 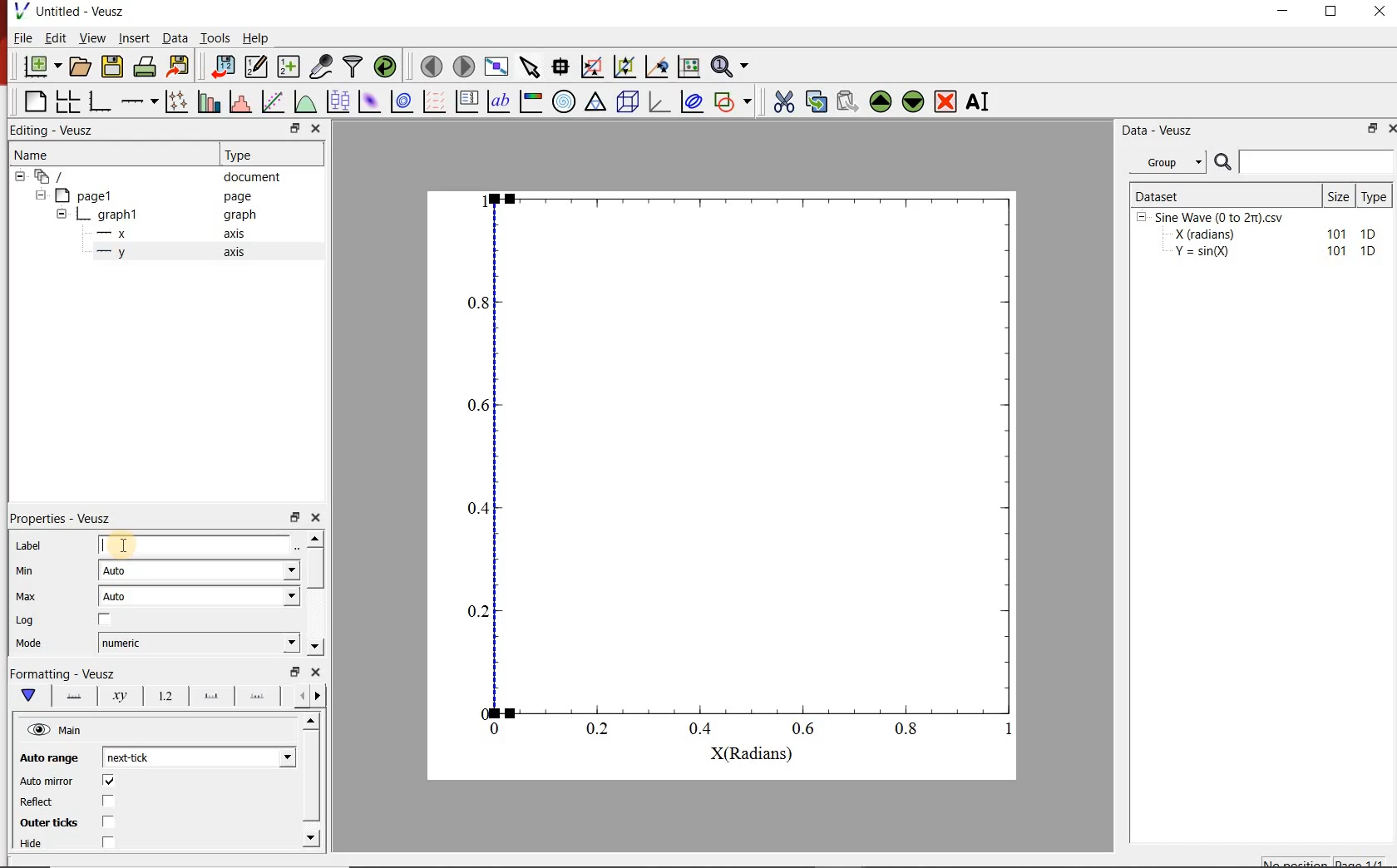 What do you see at coordinates (62, 518) in the screenshot?
I see `Properties - Veusz` at bounding box center [62, 518].